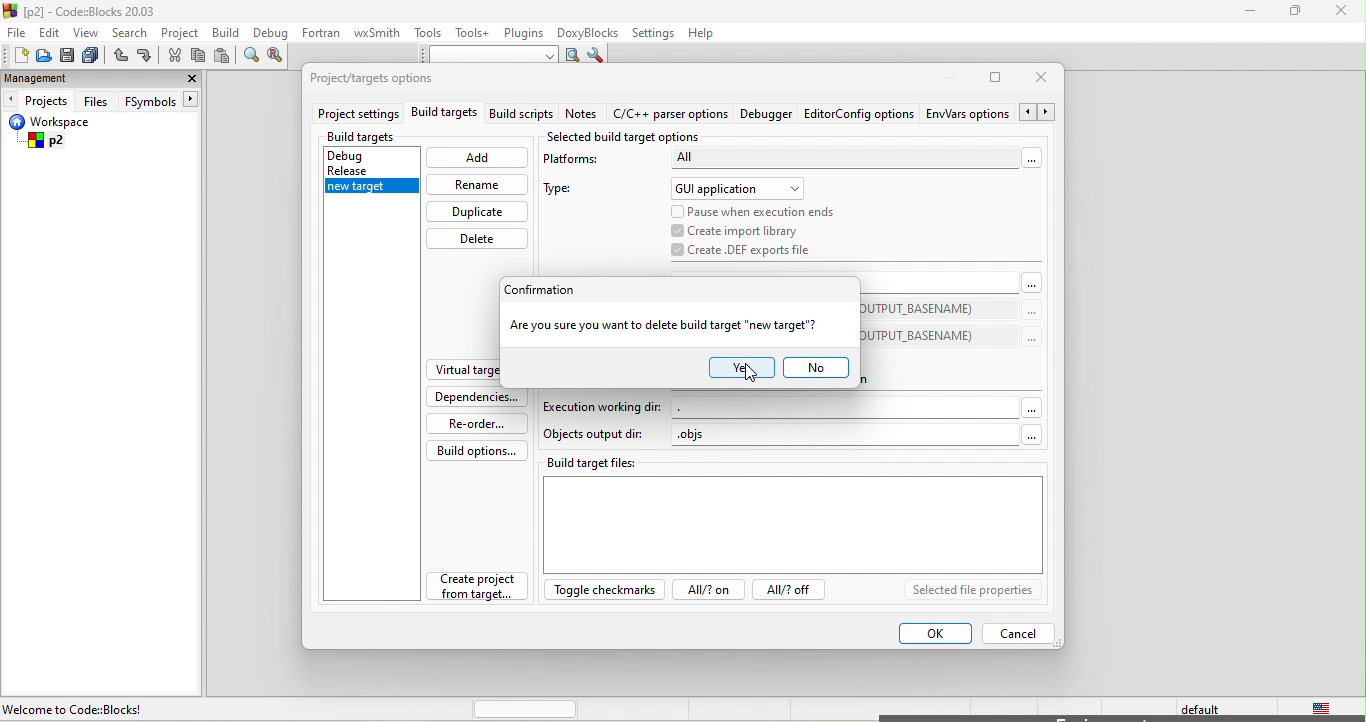  Describe the element at coordinates (122, 56) in the screenshot. I see `undo` at that location.